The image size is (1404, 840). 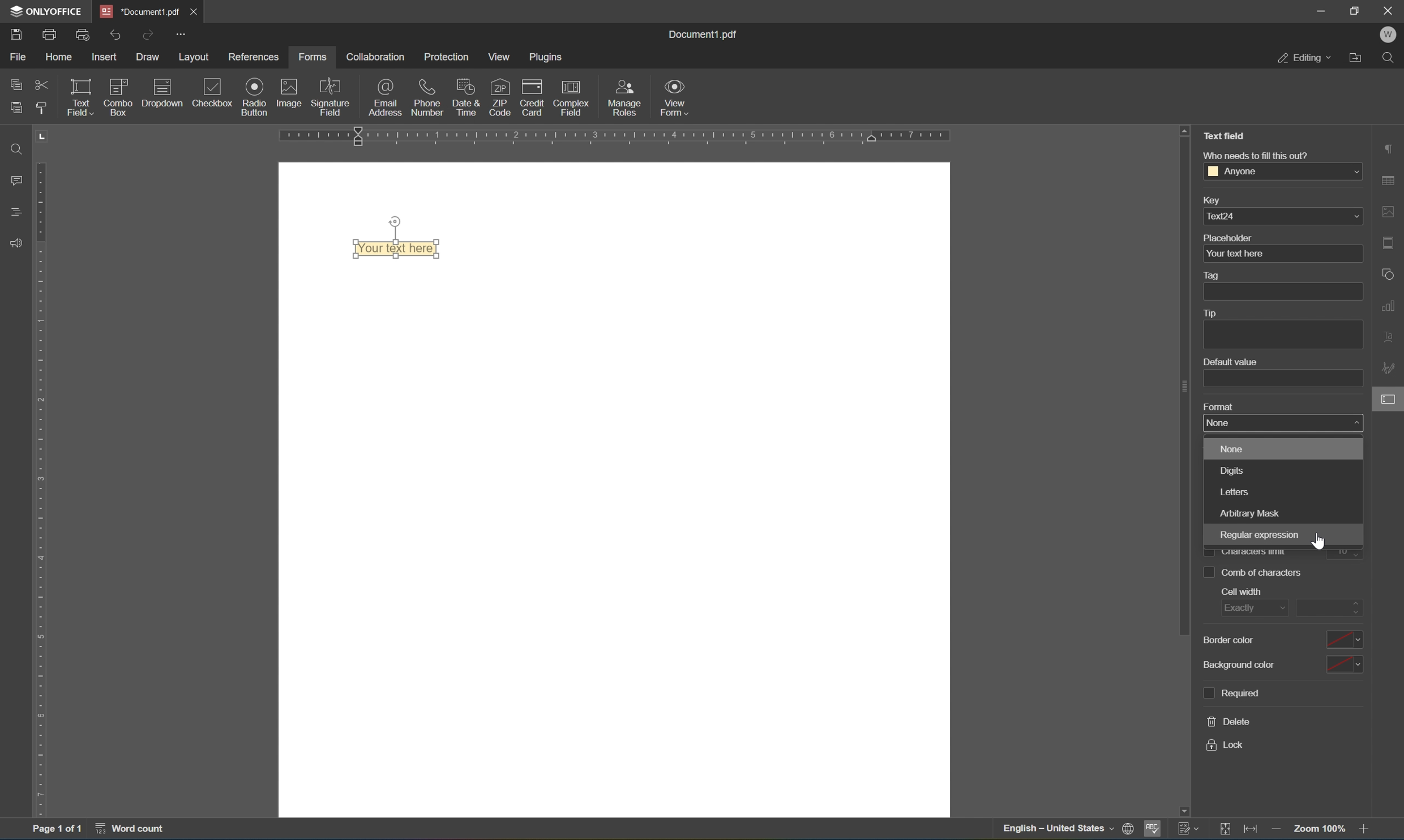 What do you see at coordinates (136, 830) in the screenshot?
I see `word count` at bounding box center [136, 830].